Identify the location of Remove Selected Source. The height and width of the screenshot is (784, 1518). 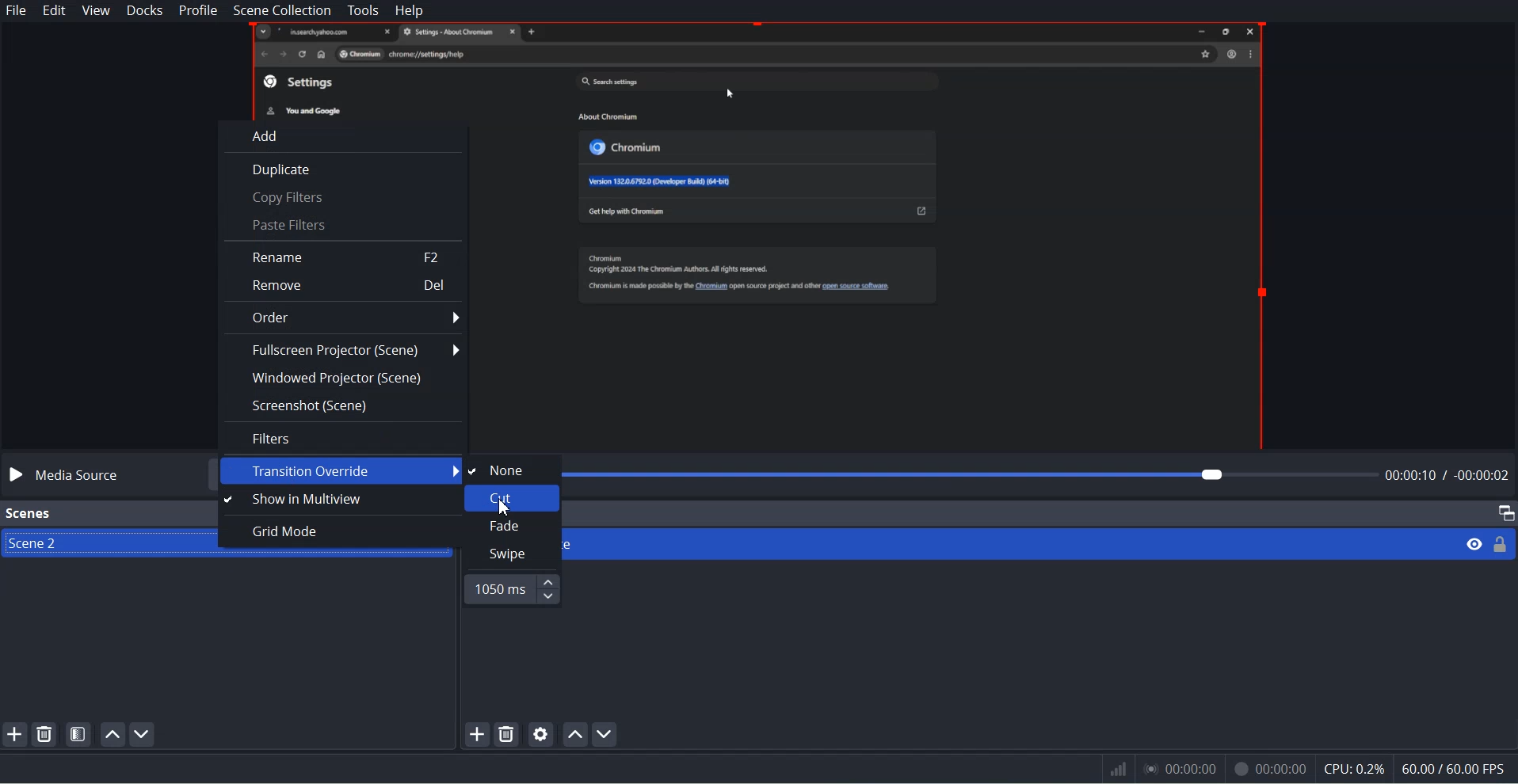
(507, 734).